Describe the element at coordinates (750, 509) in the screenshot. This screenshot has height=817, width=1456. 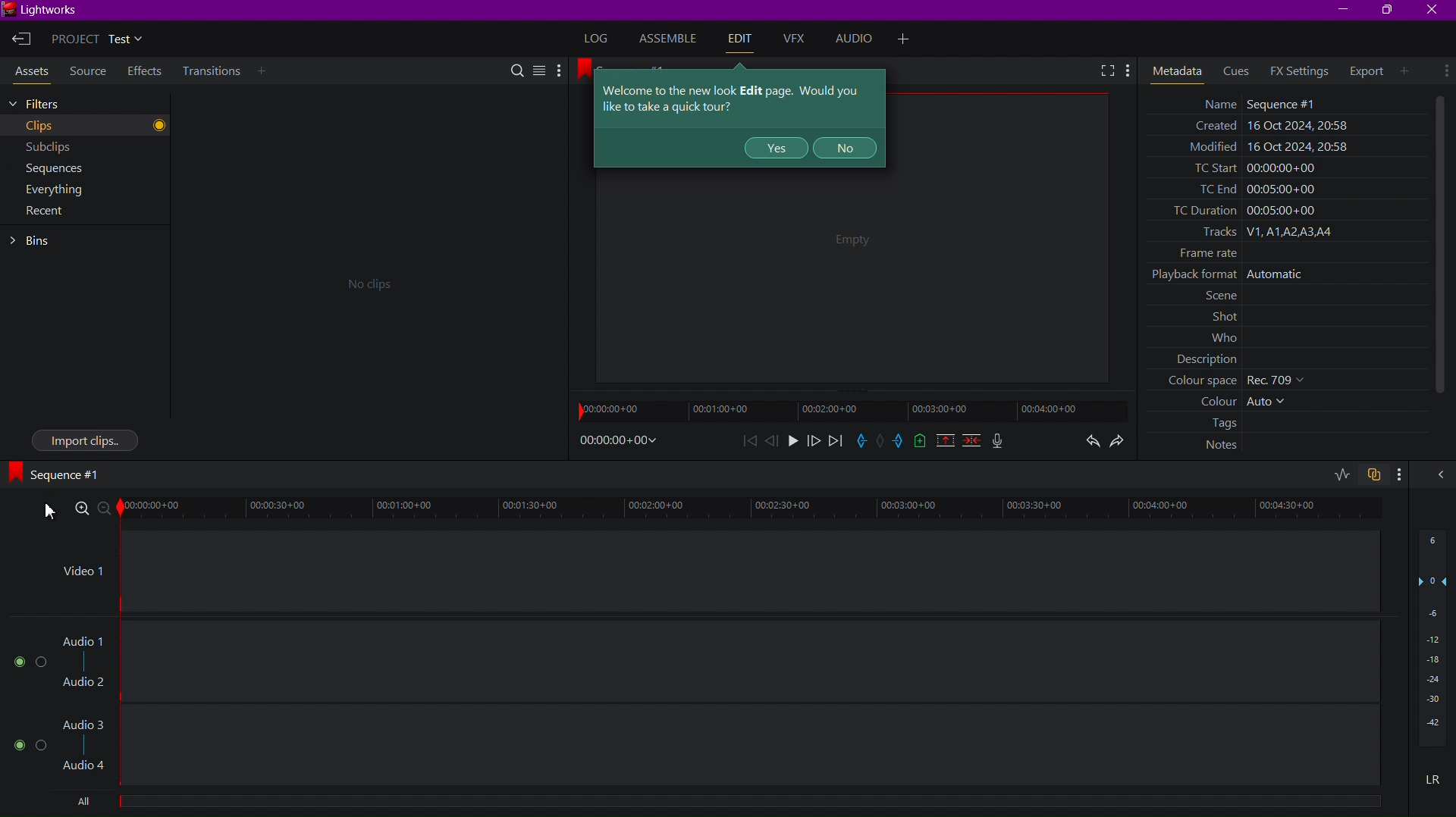
I see `Timeline` at that location.